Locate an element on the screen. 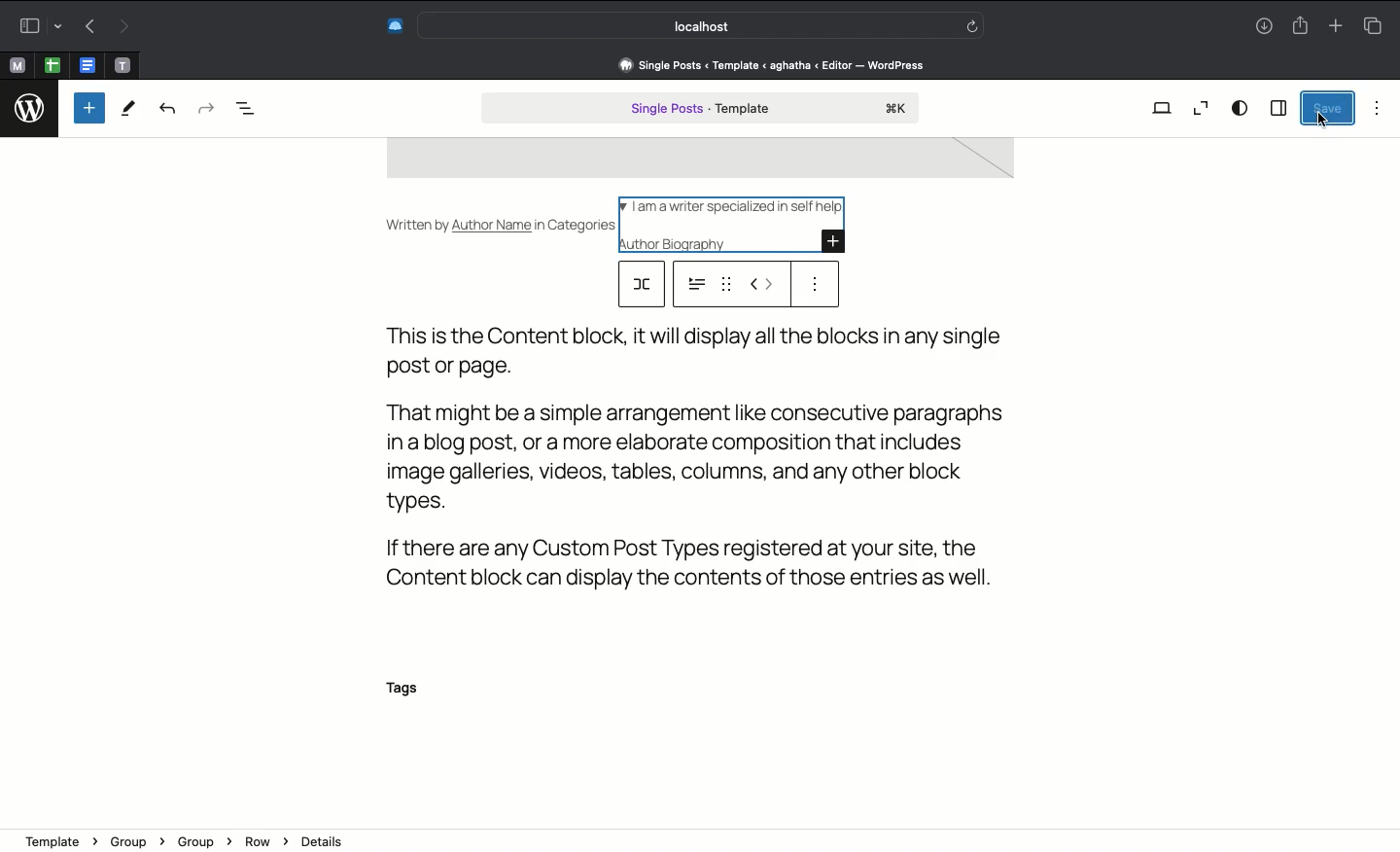 The height and width of the screenshot is (852, 1400). drag is located at coordinates (723, 284).